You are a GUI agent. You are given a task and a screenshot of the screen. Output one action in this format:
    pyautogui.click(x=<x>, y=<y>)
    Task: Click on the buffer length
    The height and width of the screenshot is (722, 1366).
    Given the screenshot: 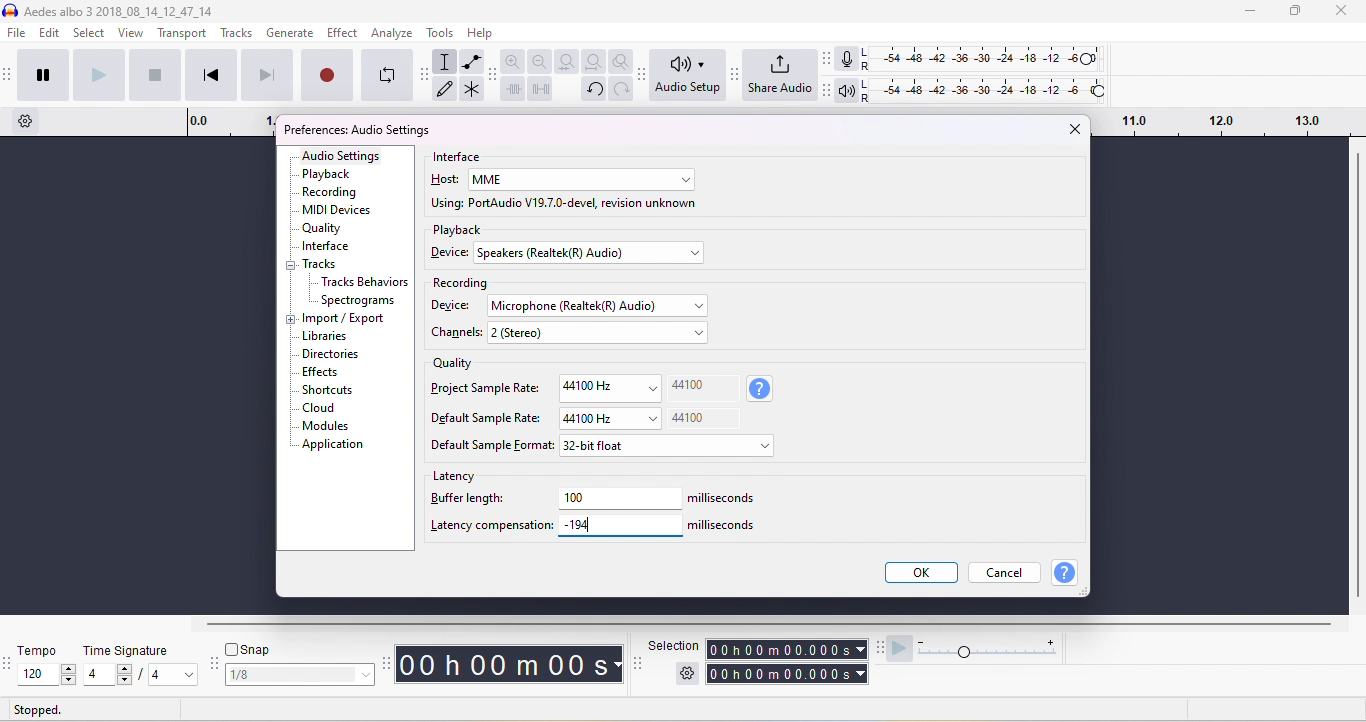 What is the action you would take?
    pyautogui.click(x=470, y=499)
    